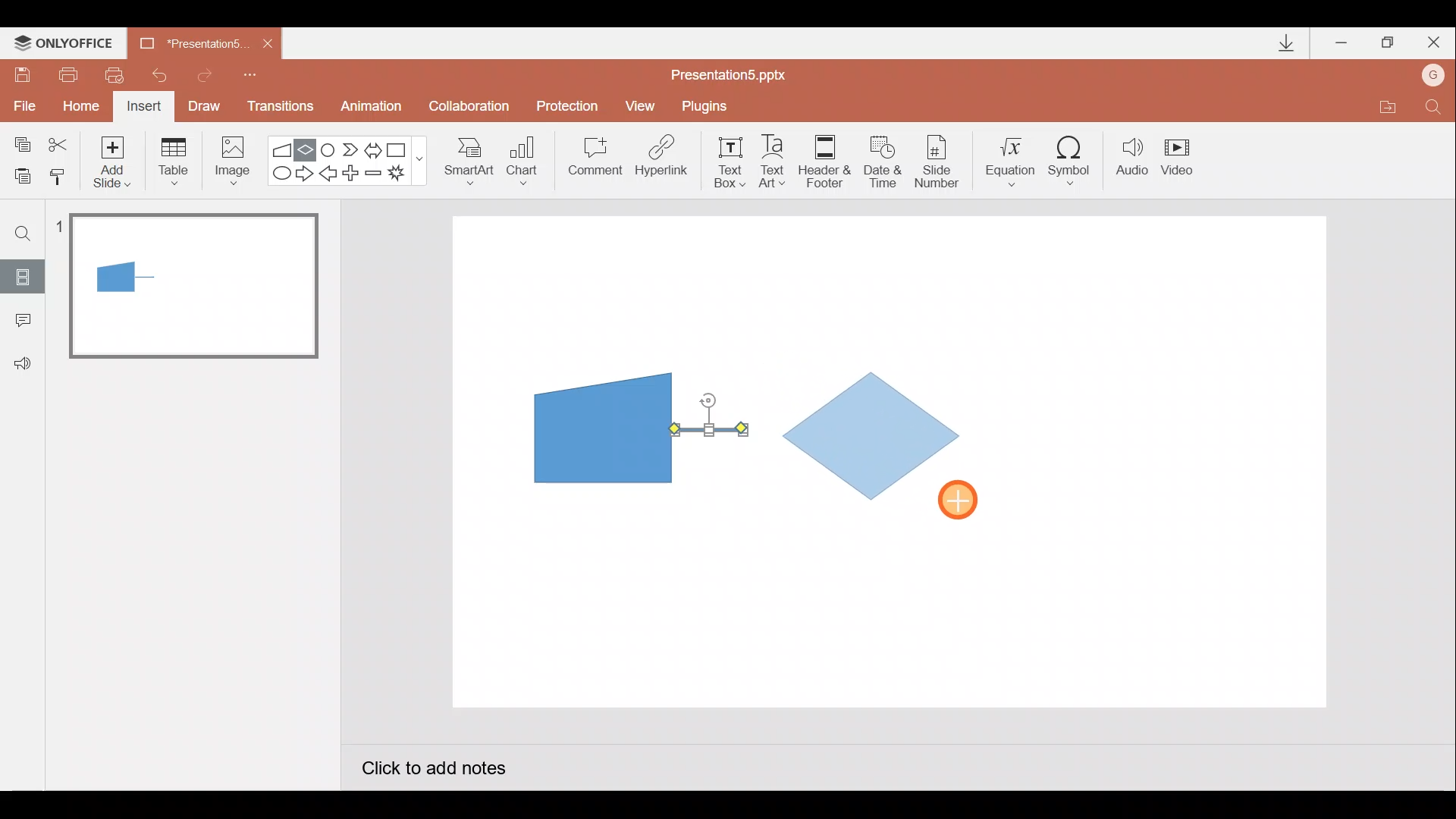 The image size is (1456, 819). Describe the element at coordinates (196, 439) in the screenshot. I see `Slide pane` at that location.